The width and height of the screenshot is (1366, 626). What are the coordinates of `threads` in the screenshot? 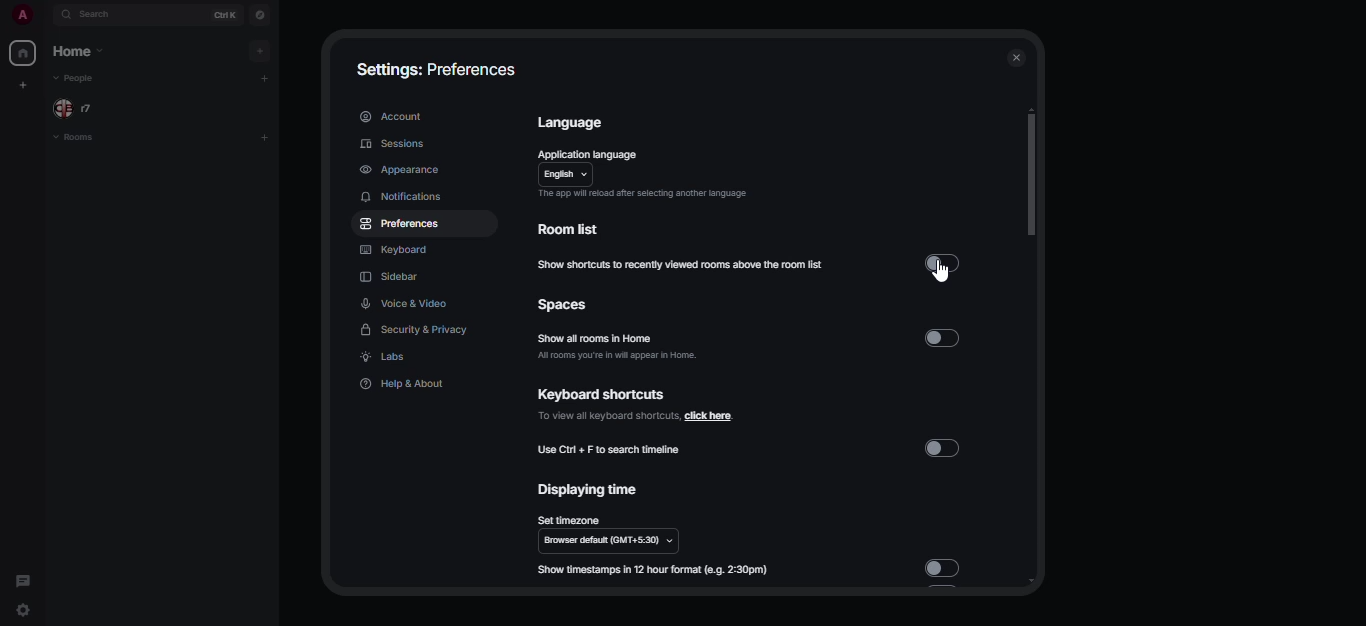 It's located at (29, 578).